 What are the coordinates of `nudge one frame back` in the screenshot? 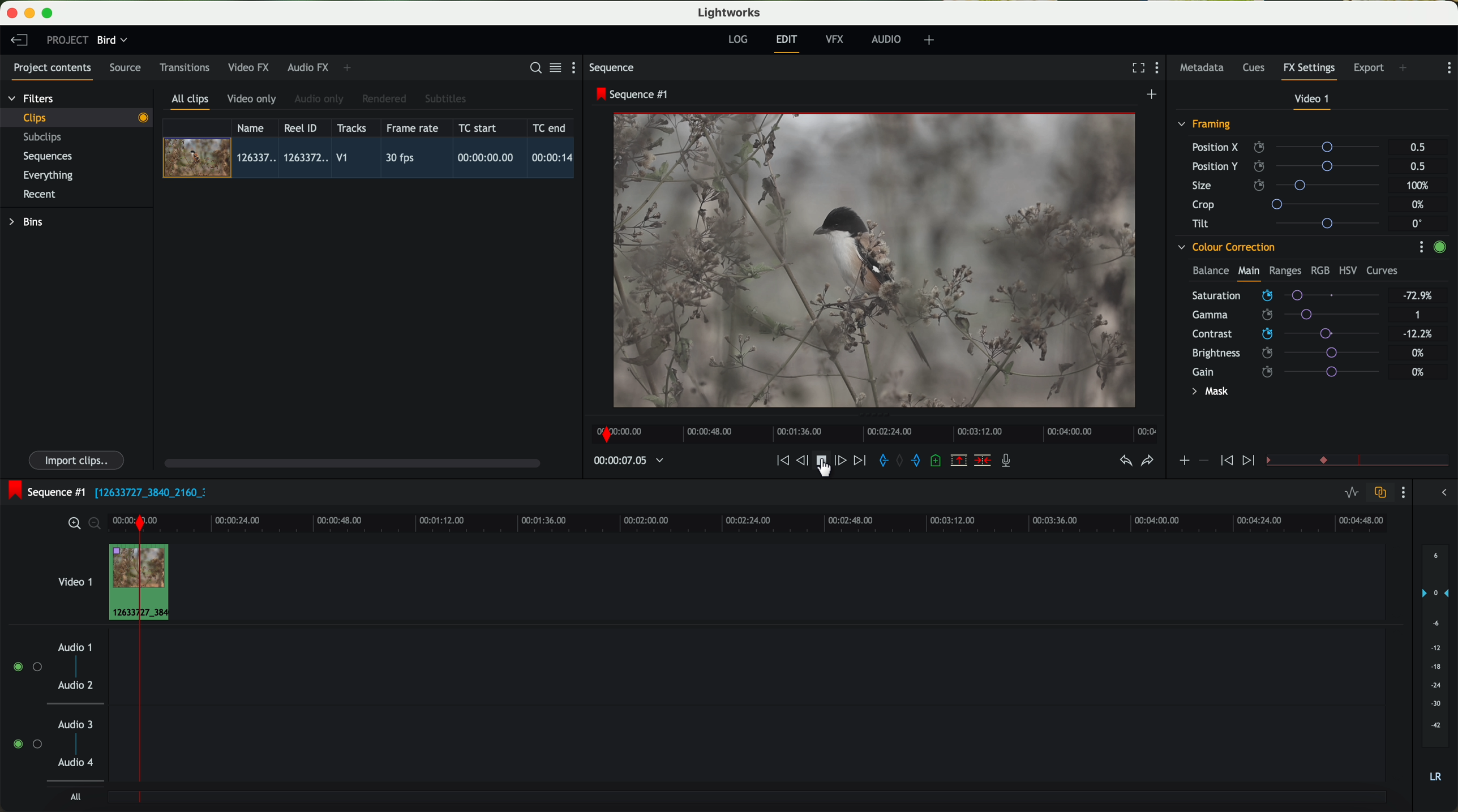 It's located at (804, 462).